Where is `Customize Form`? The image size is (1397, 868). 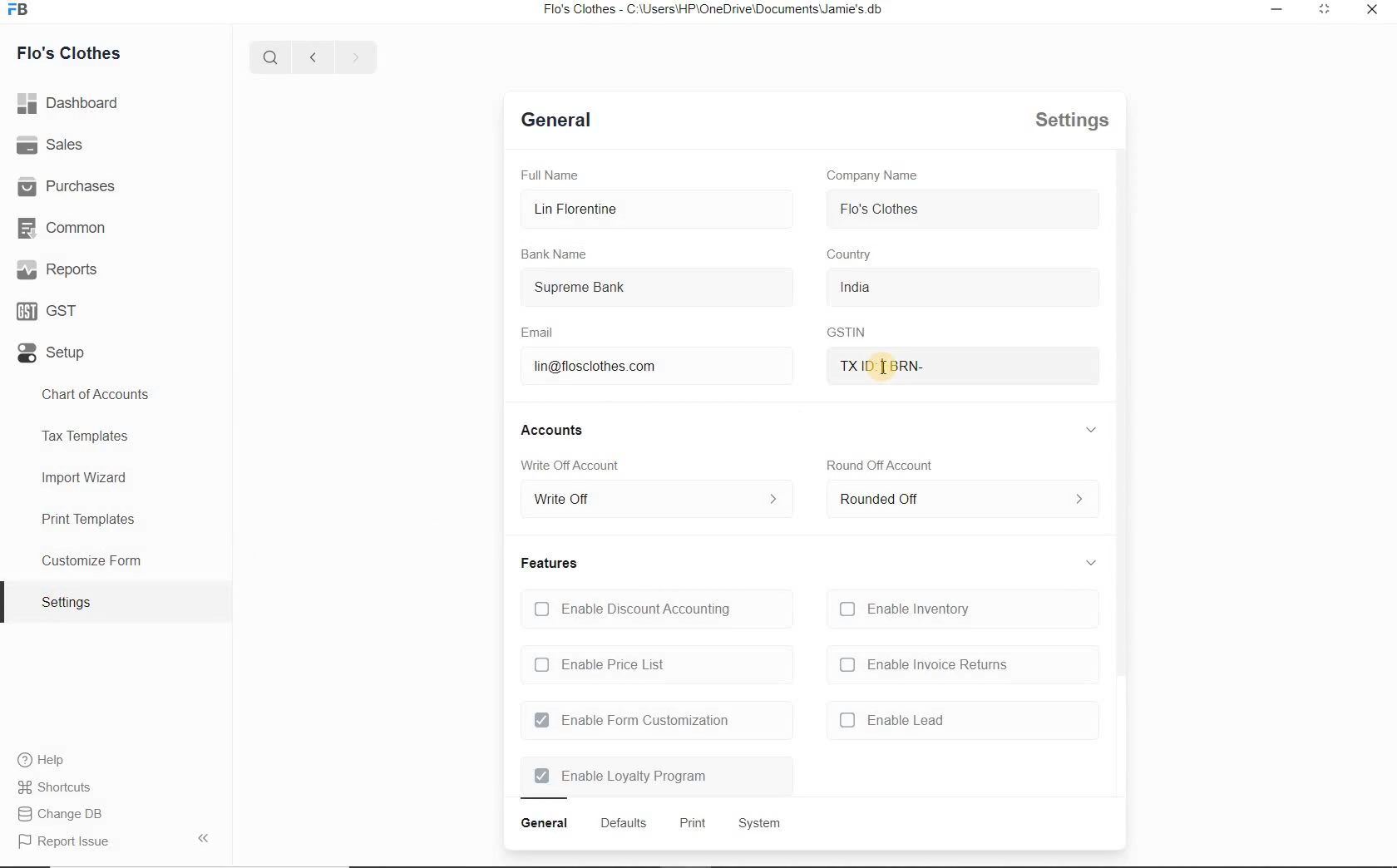
Customize Form is located at coordinates (93, 559).